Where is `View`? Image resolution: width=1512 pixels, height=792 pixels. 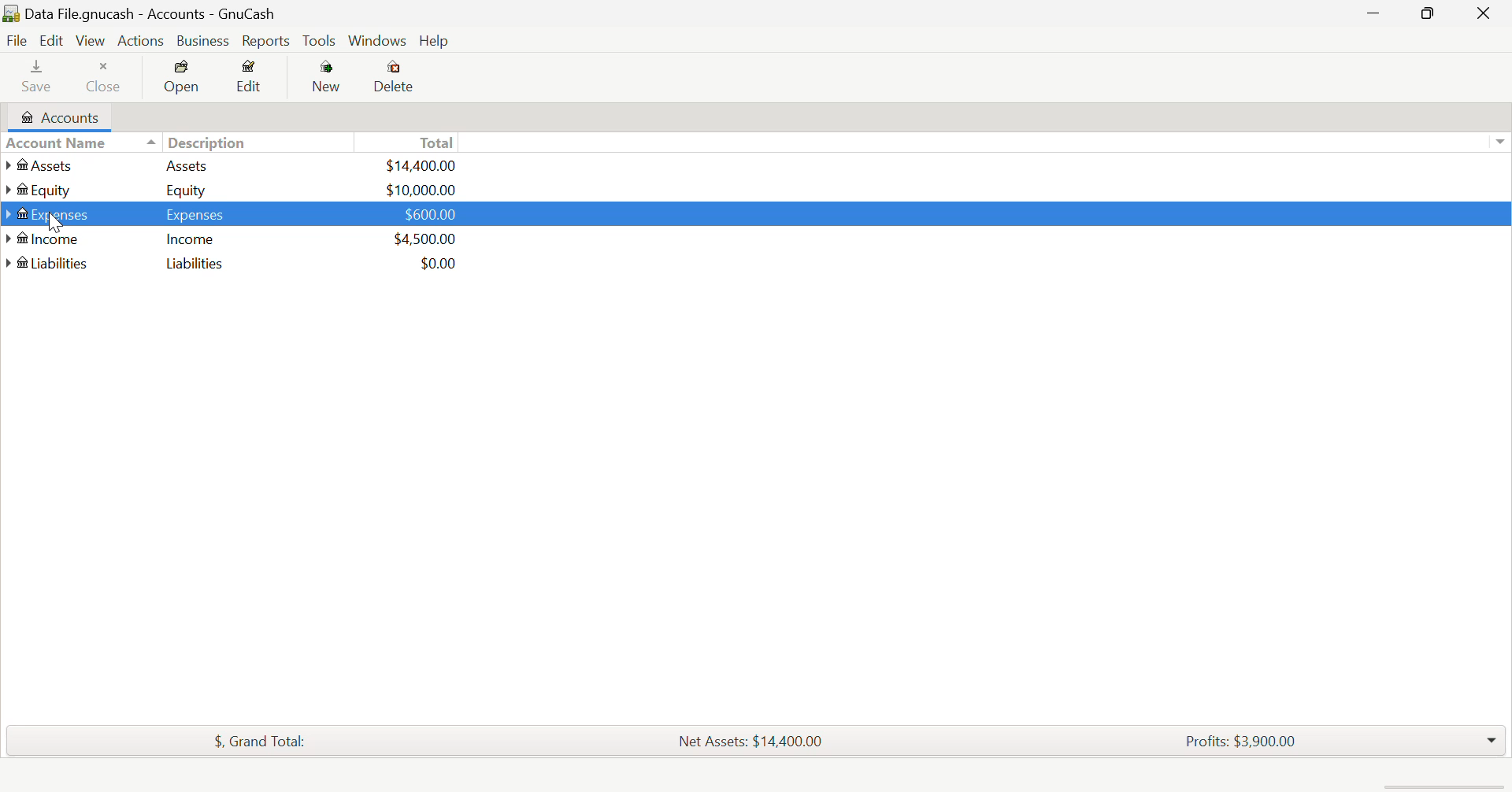 View is located at coordinates (91, 42).